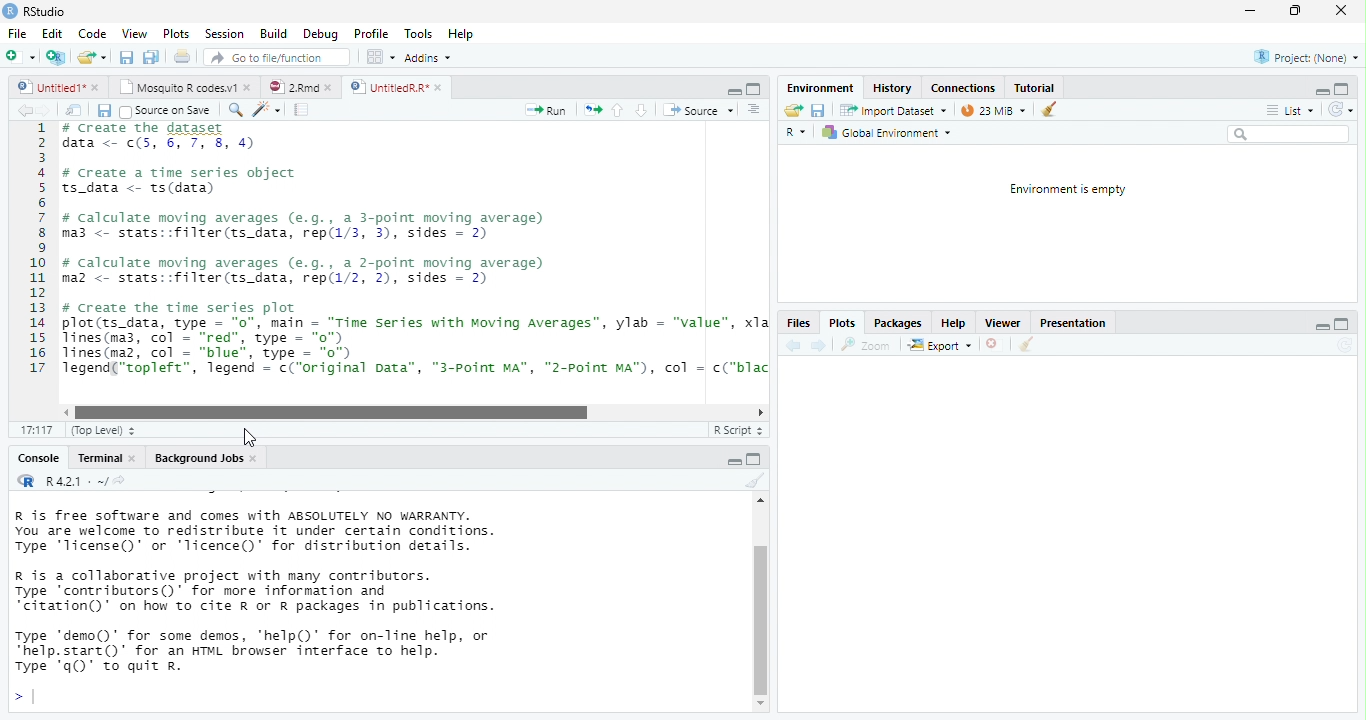  I want to click on search, so click(233, 110).